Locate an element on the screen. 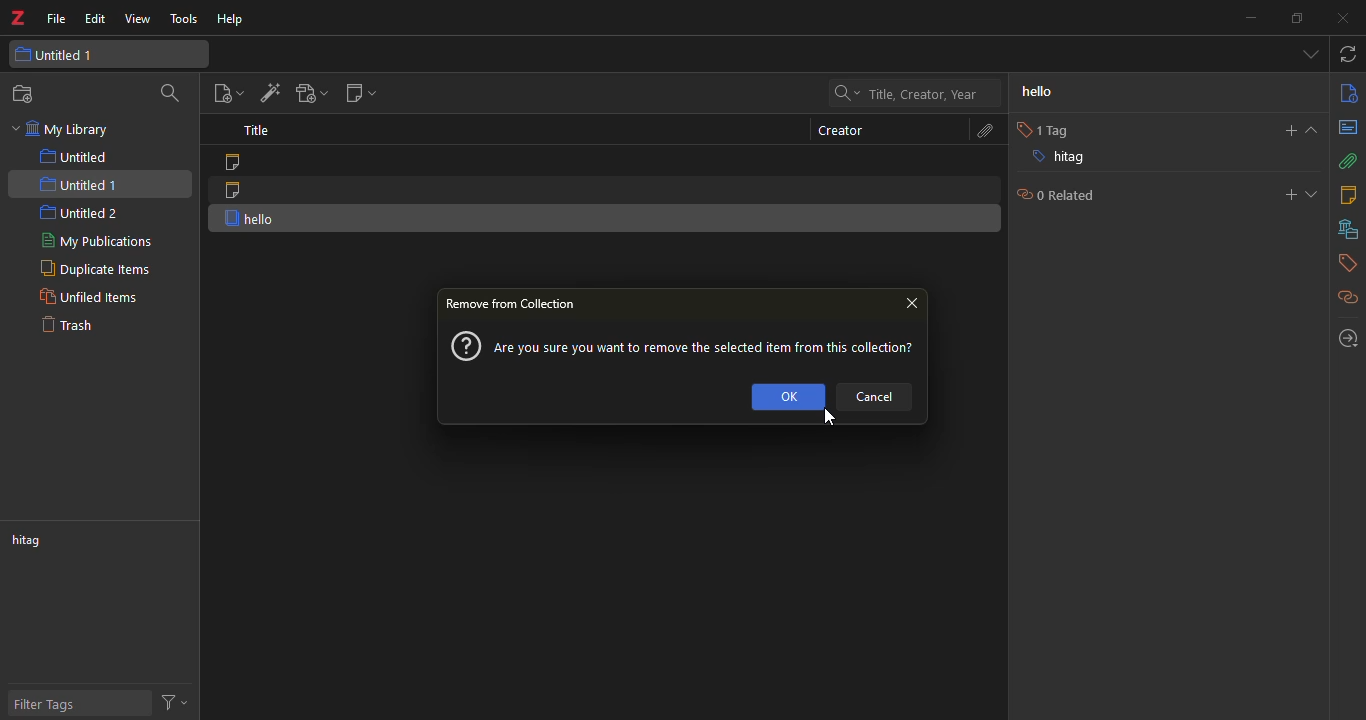 Image resolution: width=1366 pixels, height=720 pixels. expand is located at coordinates (1313, 195).